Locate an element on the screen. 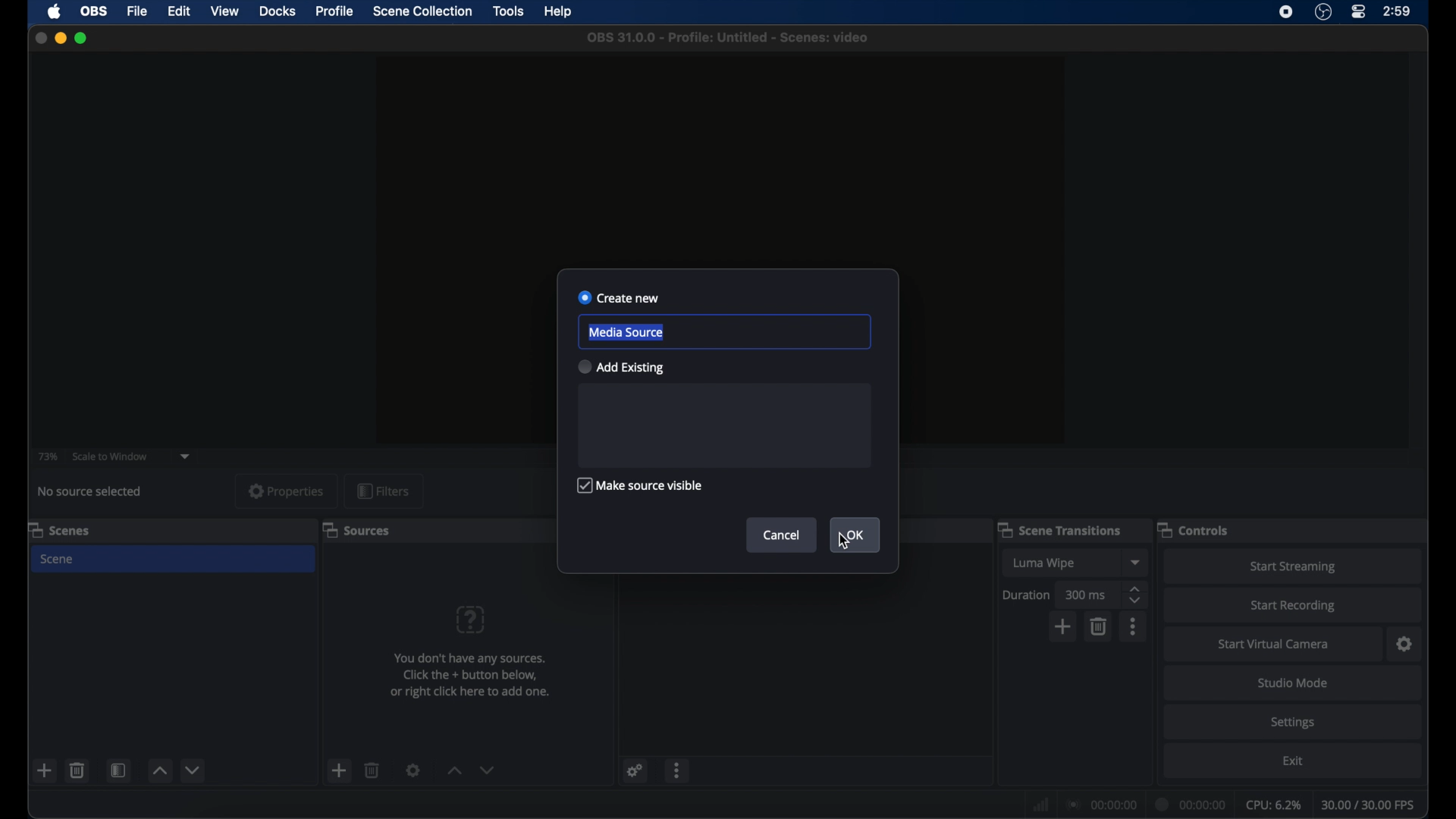 The height and width of the screenshot is (819, 1456). profile is located at coordinates (335, 11).